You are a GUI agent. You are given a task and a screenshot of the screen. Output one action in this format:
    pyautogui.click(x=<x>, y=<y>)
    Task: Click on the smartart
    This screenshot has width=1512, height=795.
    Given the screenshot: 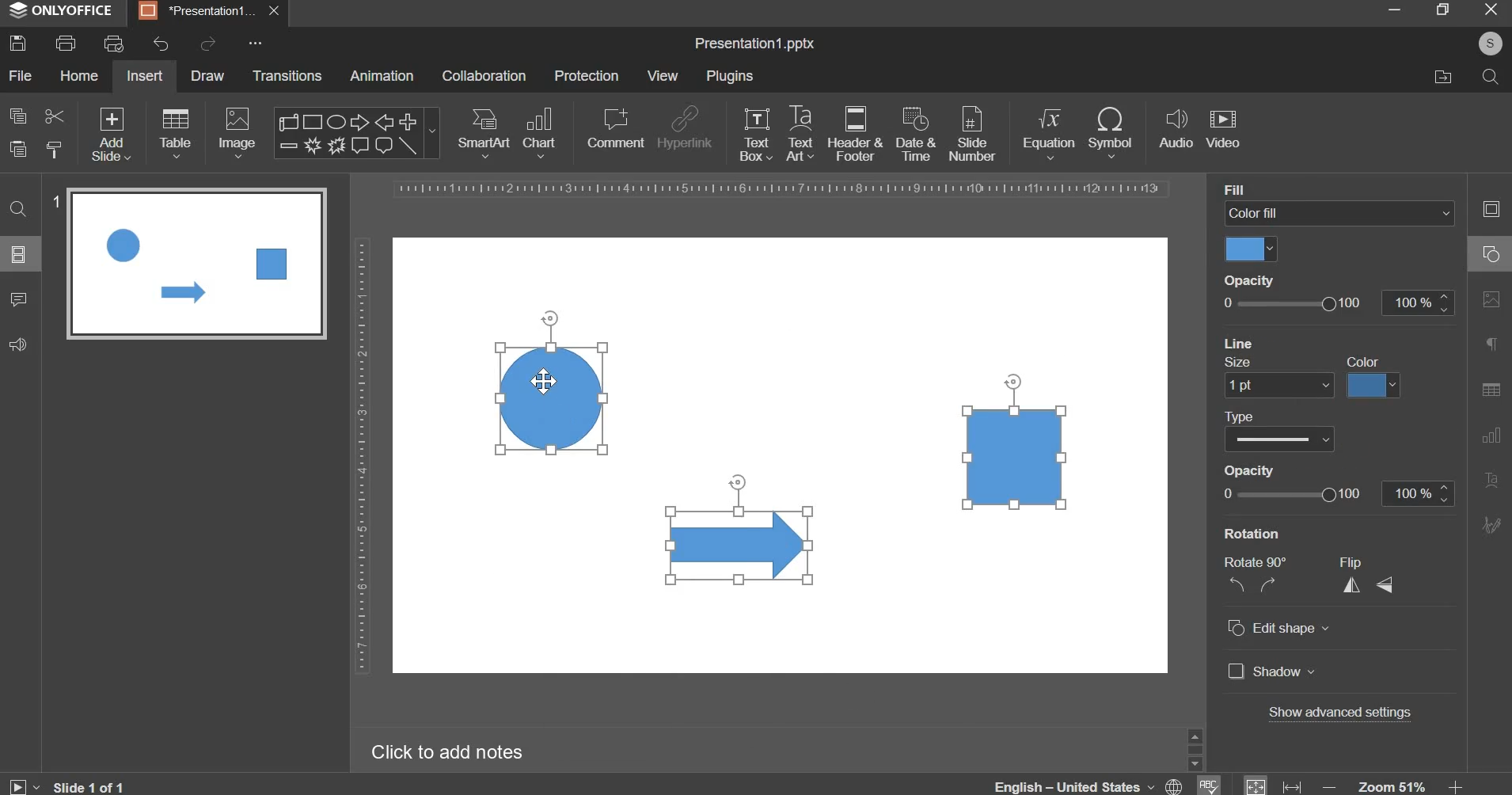 What is the action you would take?
    pyautogui.click(x=484, y=130)
    